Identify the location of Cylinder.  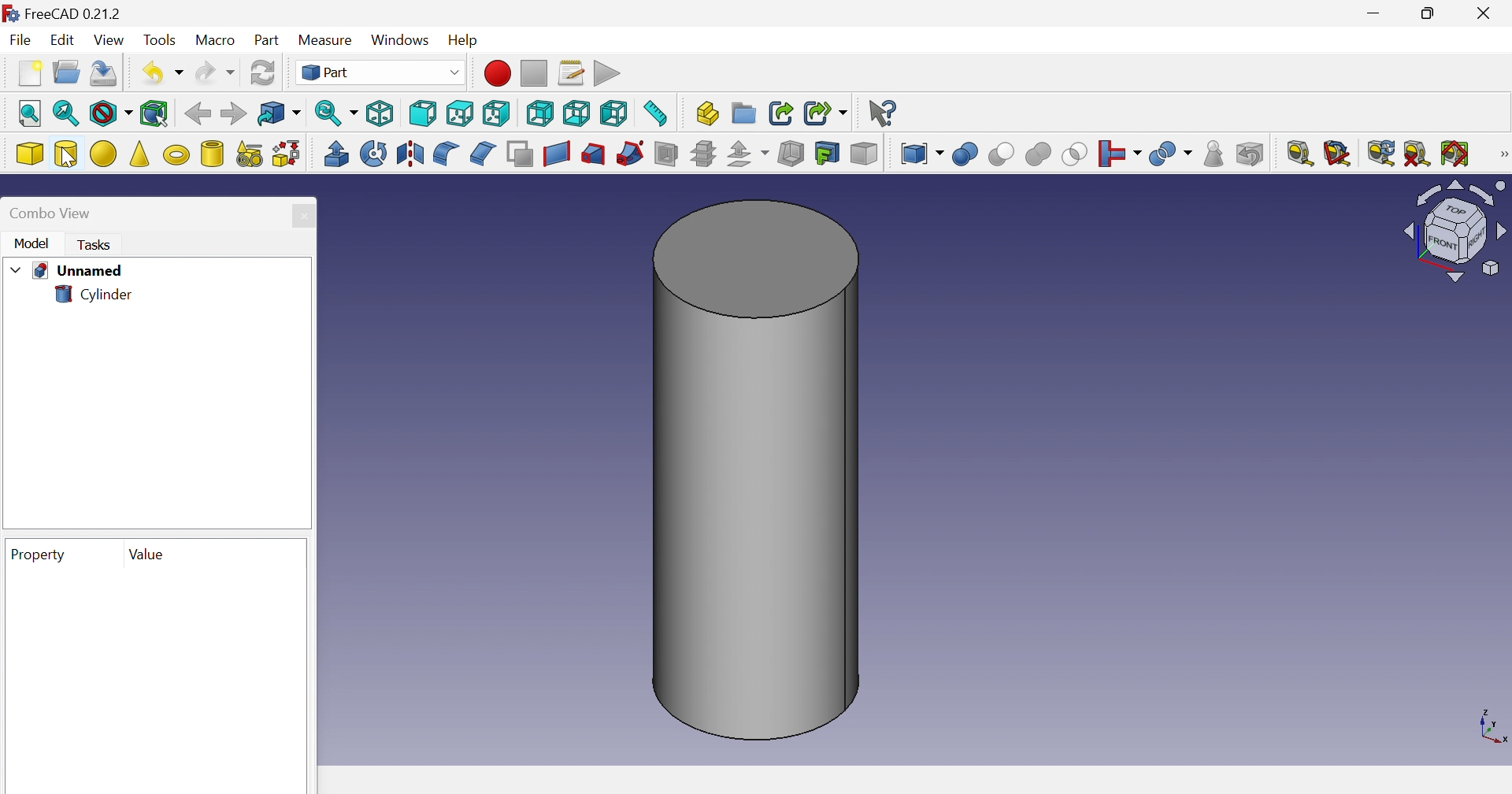
(65, 155).